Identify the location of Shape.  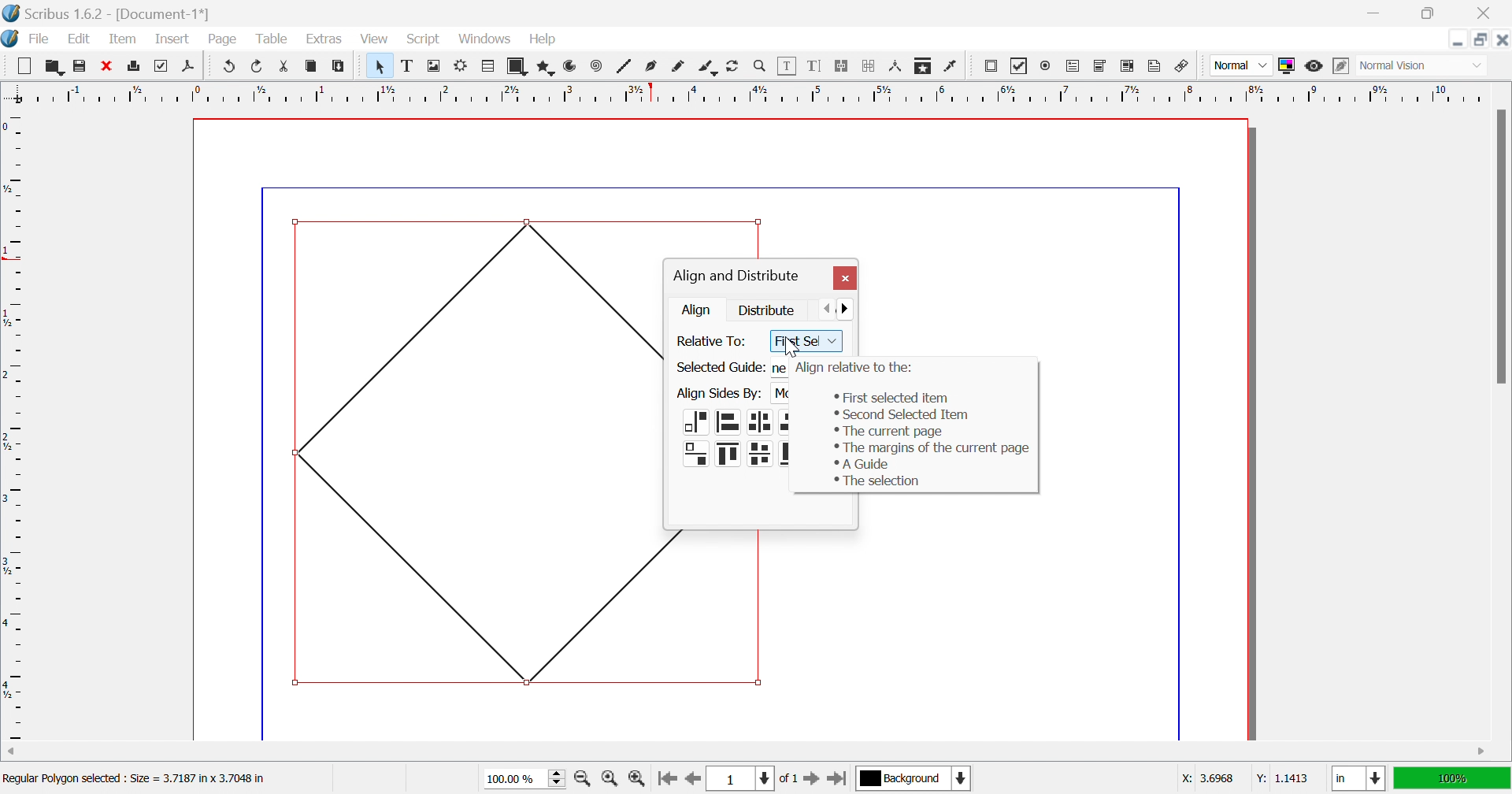
(520, 67).